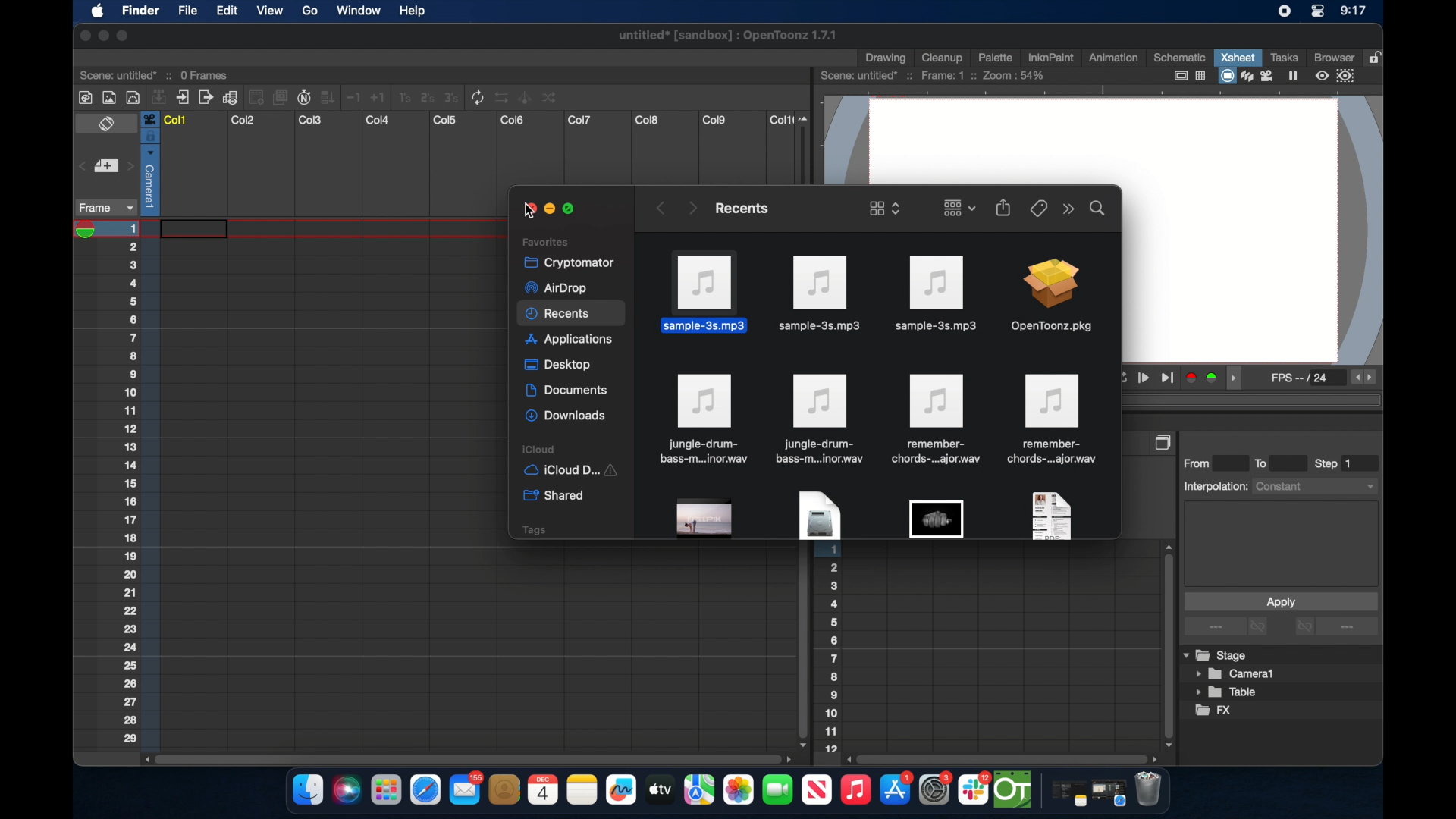 The height and width of the screenshot is (819, 1456). What do you see at coordinates (542, 789) in the screenshot?
I see `calendar` at bounding box center [542, 789].